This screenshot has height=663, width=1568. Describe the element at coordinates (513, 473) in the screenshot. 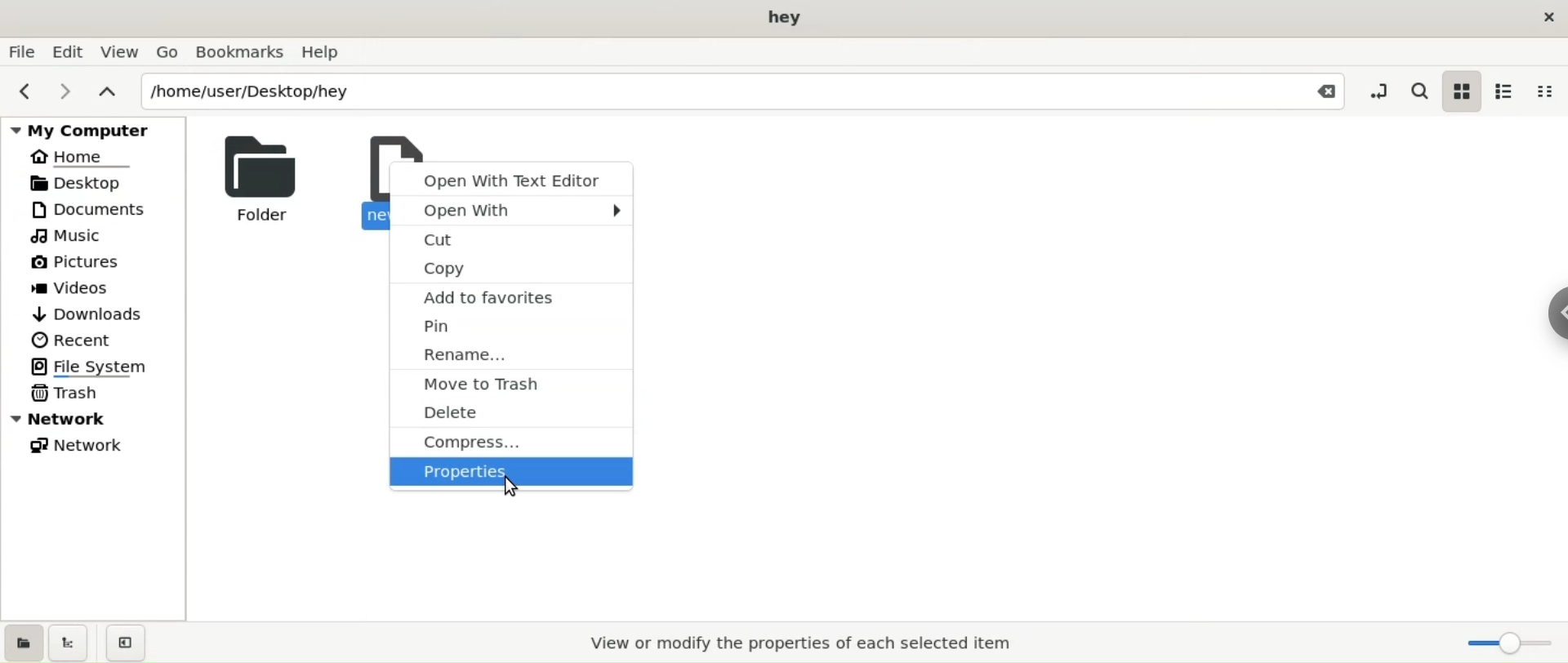

I see `properties` at that location.